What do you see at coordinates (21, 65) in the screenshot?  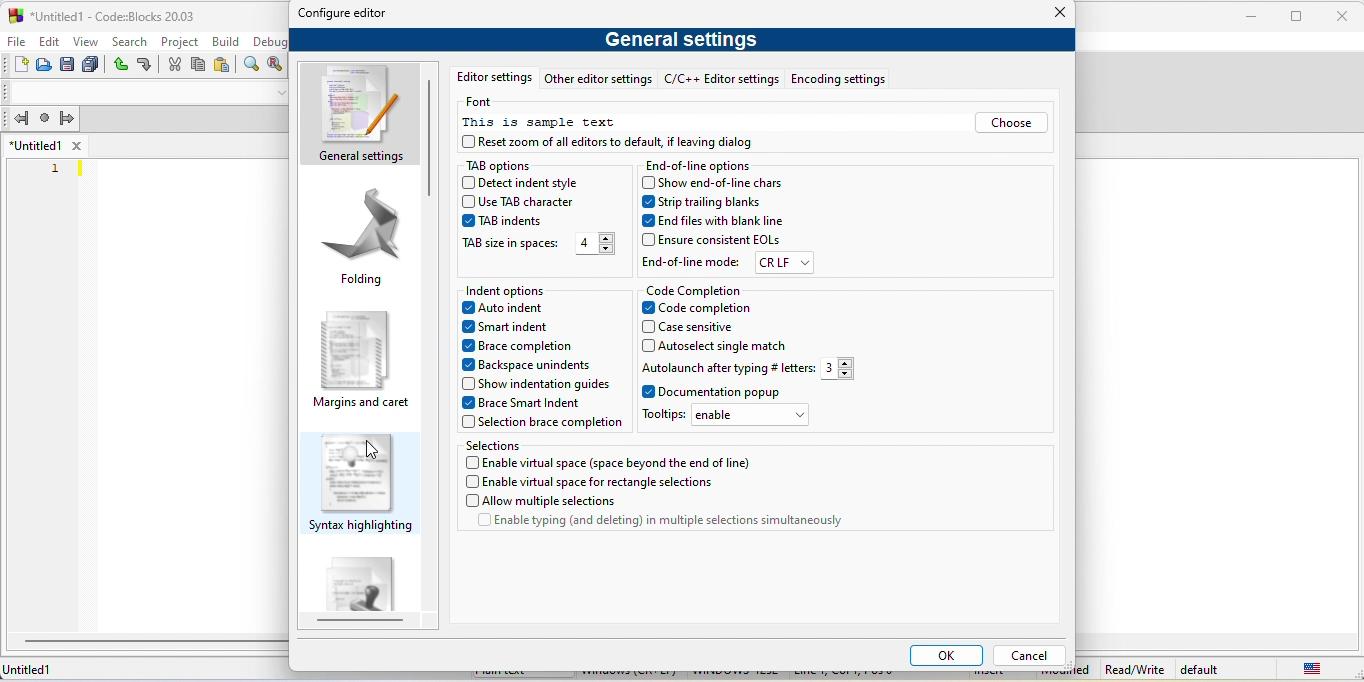 I see `new` at bounding box center [21, 65].